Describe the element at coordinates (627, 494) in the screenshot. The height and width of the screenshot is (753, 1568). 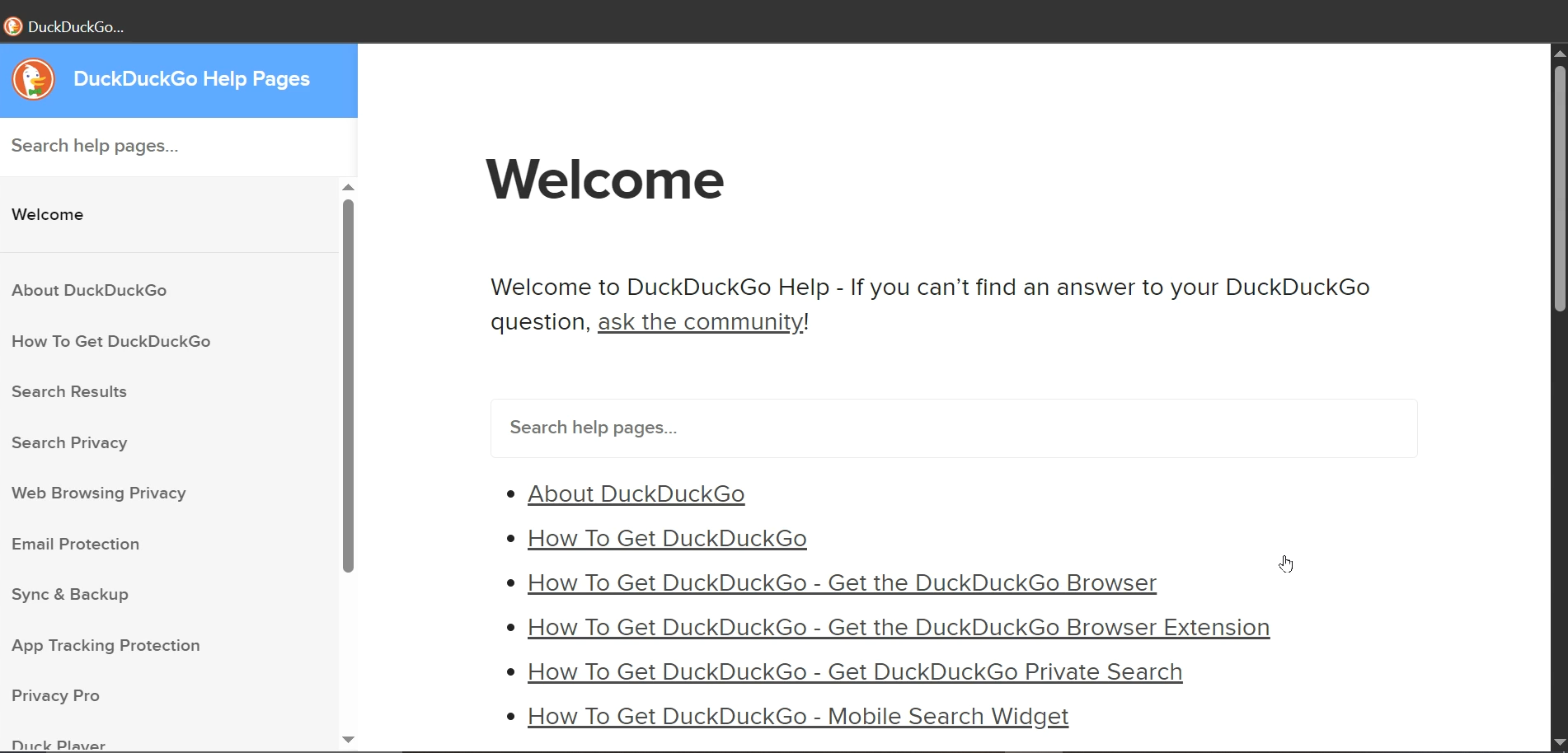
I see `* About DuckDuckGo` at that location.